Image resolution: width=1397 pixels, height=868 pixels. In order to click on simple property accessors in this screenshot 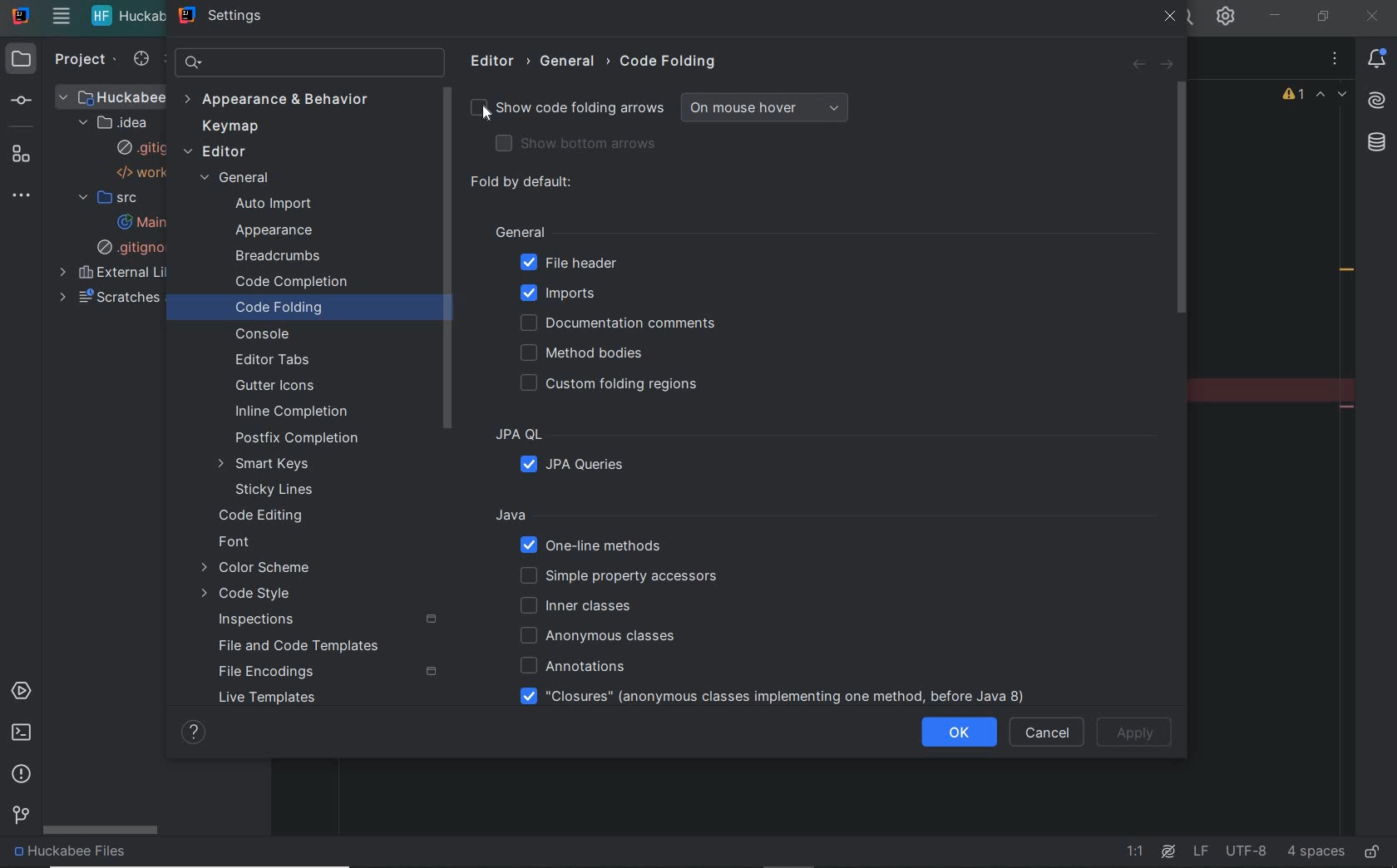, I will do `click(634, 578)`.